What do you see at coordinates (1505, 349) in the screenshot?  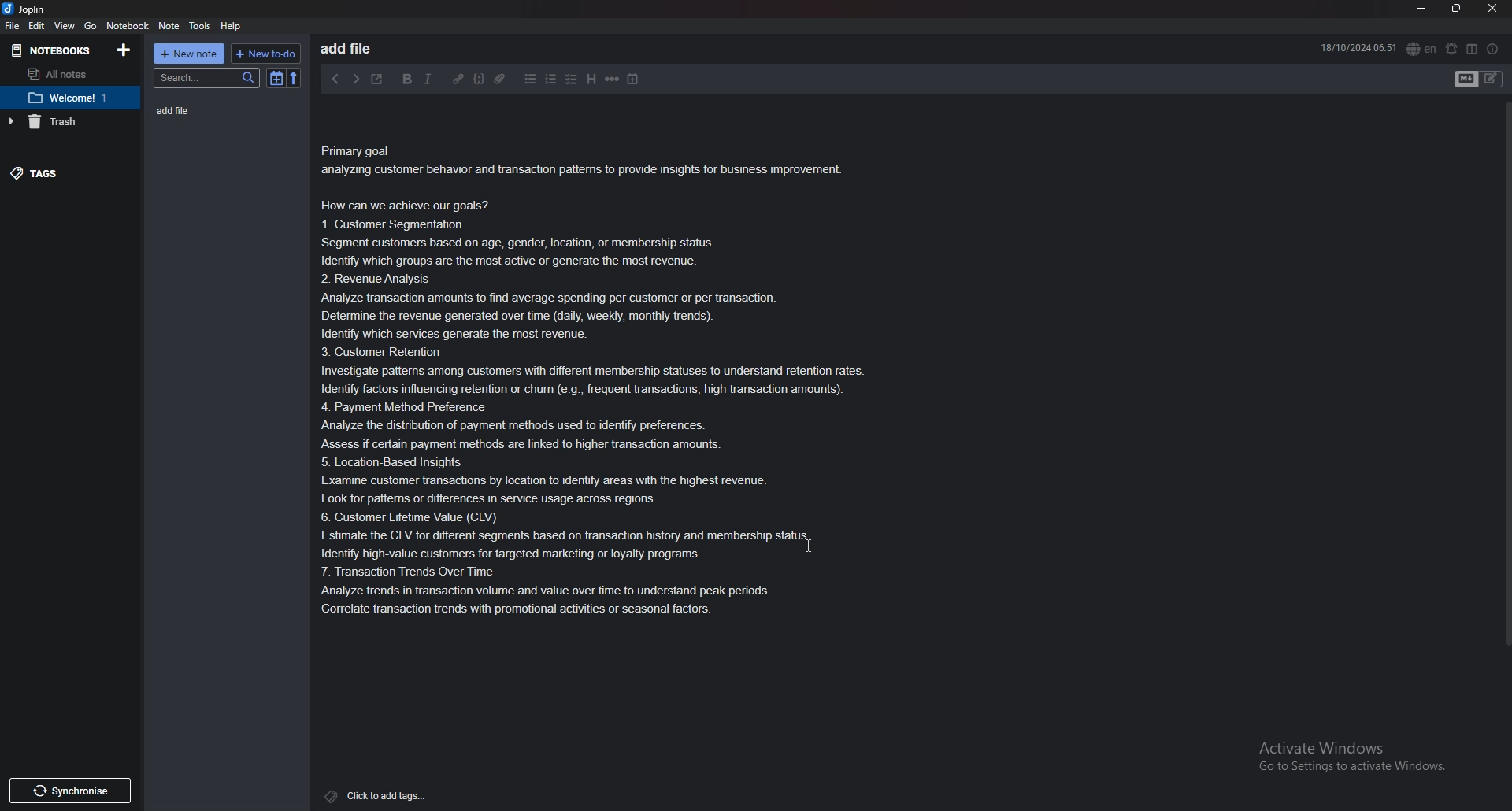 I see `Scroll bar` at bounding box center [1505, 349].